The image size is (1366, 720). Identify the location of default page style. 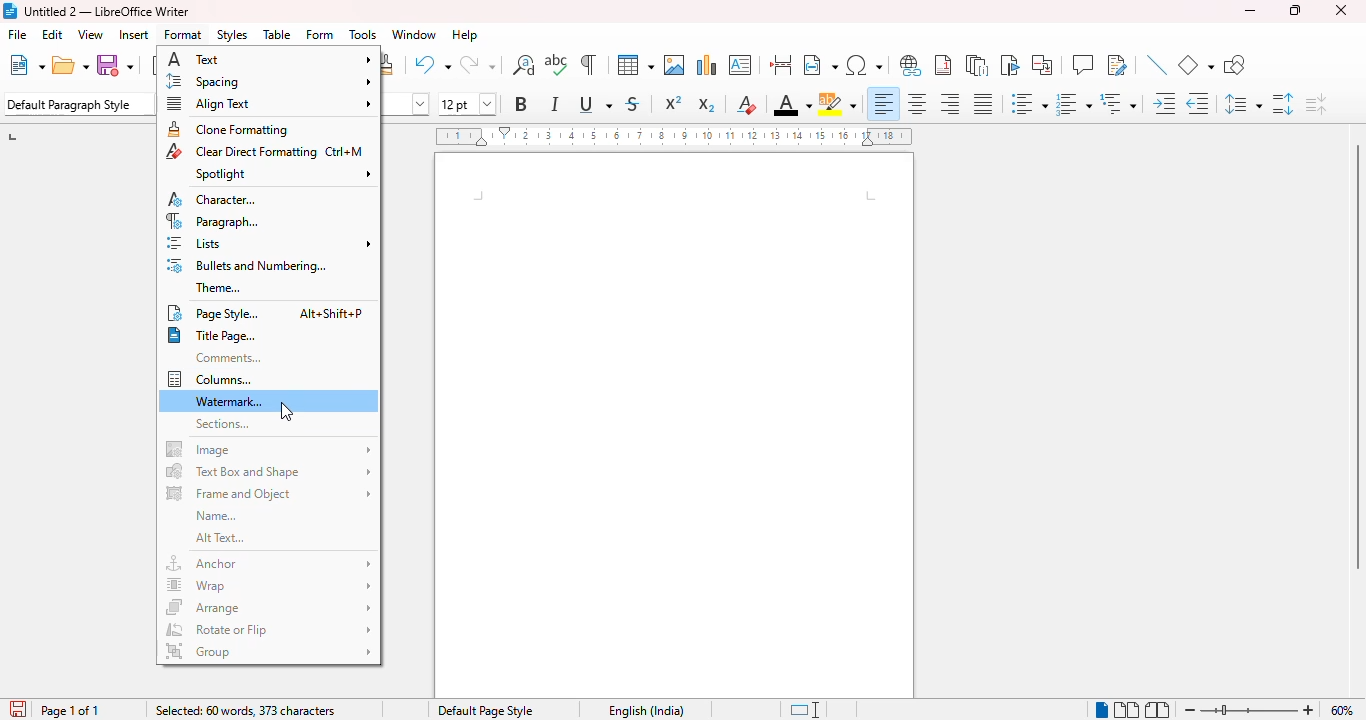
(486, 710).